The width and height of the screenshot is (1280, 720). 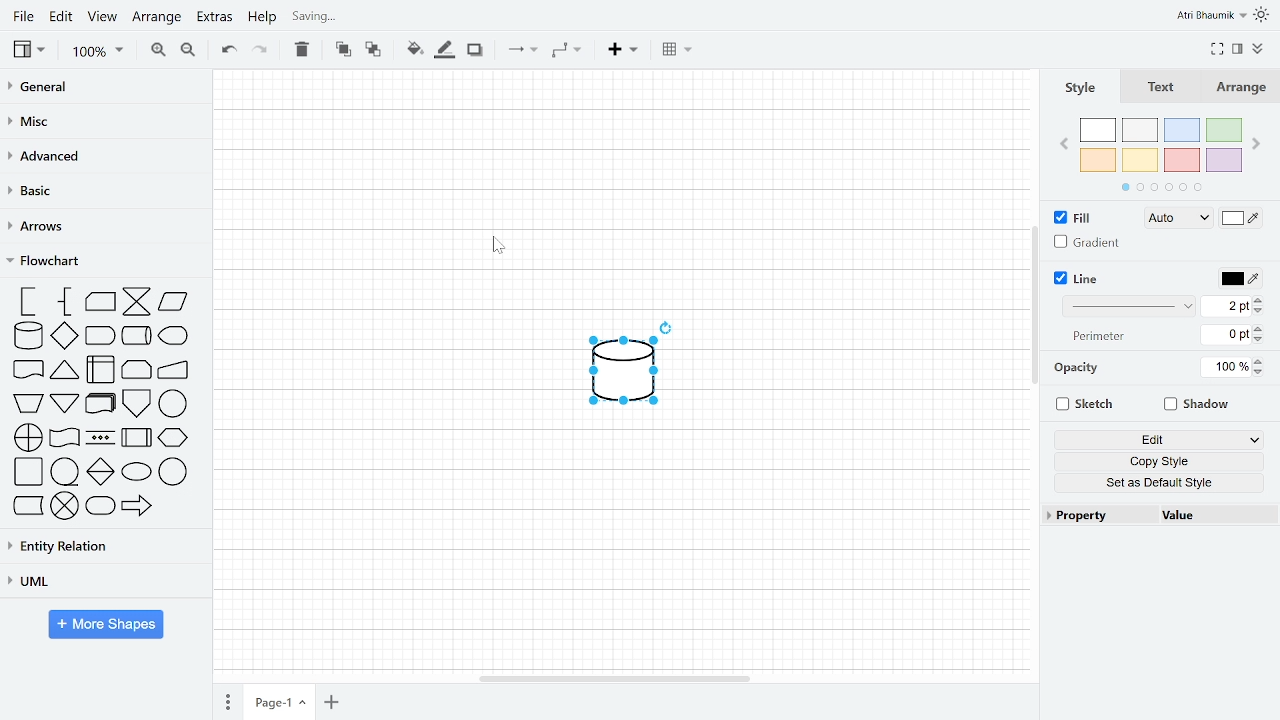 What do you see at coordinates (1073, 281) in the screenshot?
I see `Line` at bounding box center [1073, 281].